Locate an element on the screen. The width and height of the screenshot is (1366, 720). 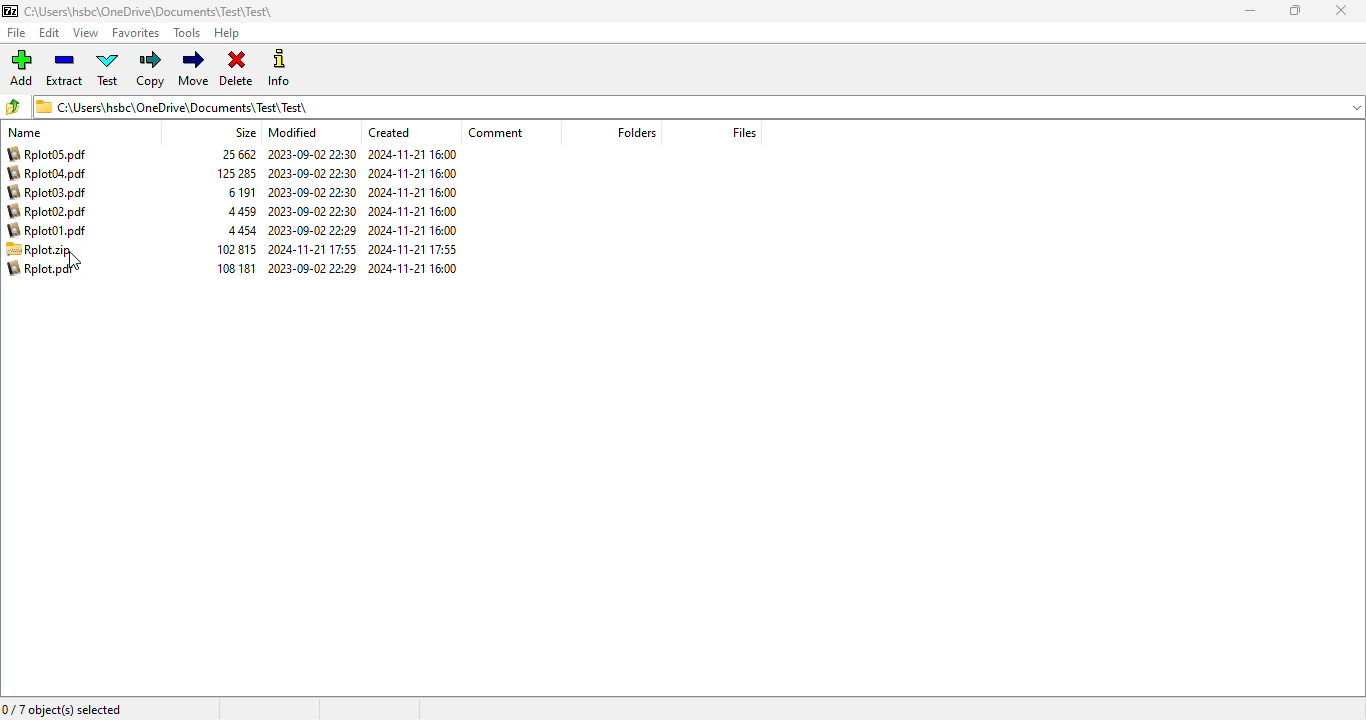
Rplot03.pdf 6191 2023-09-02 22:30 2024-11-21 16:00 is located at coordinates (234, 192).